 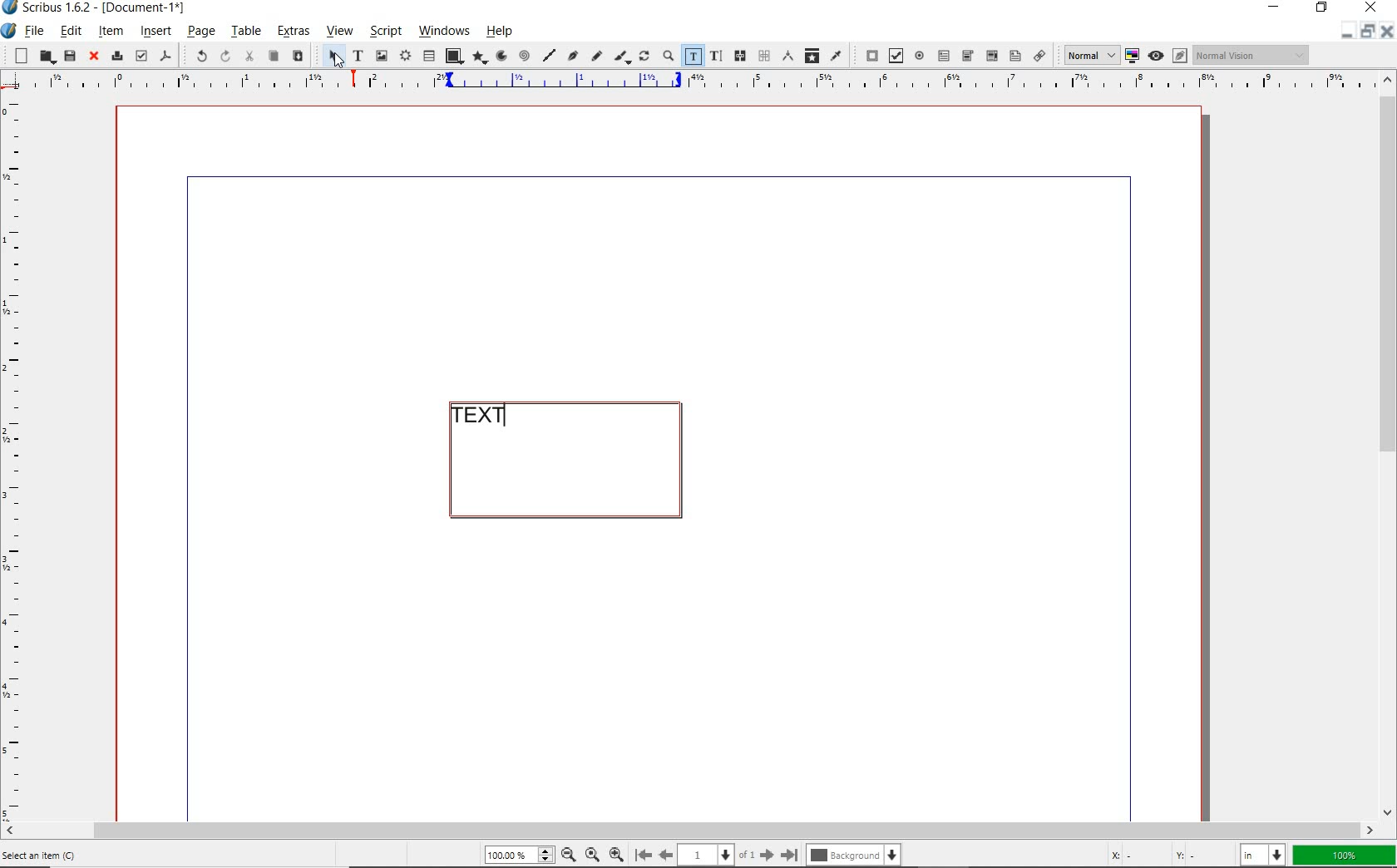 What do you see at coordinates (668, 57) in the screenshot?
I see `zoom in or zoom out` at bounding box center [668, 57].